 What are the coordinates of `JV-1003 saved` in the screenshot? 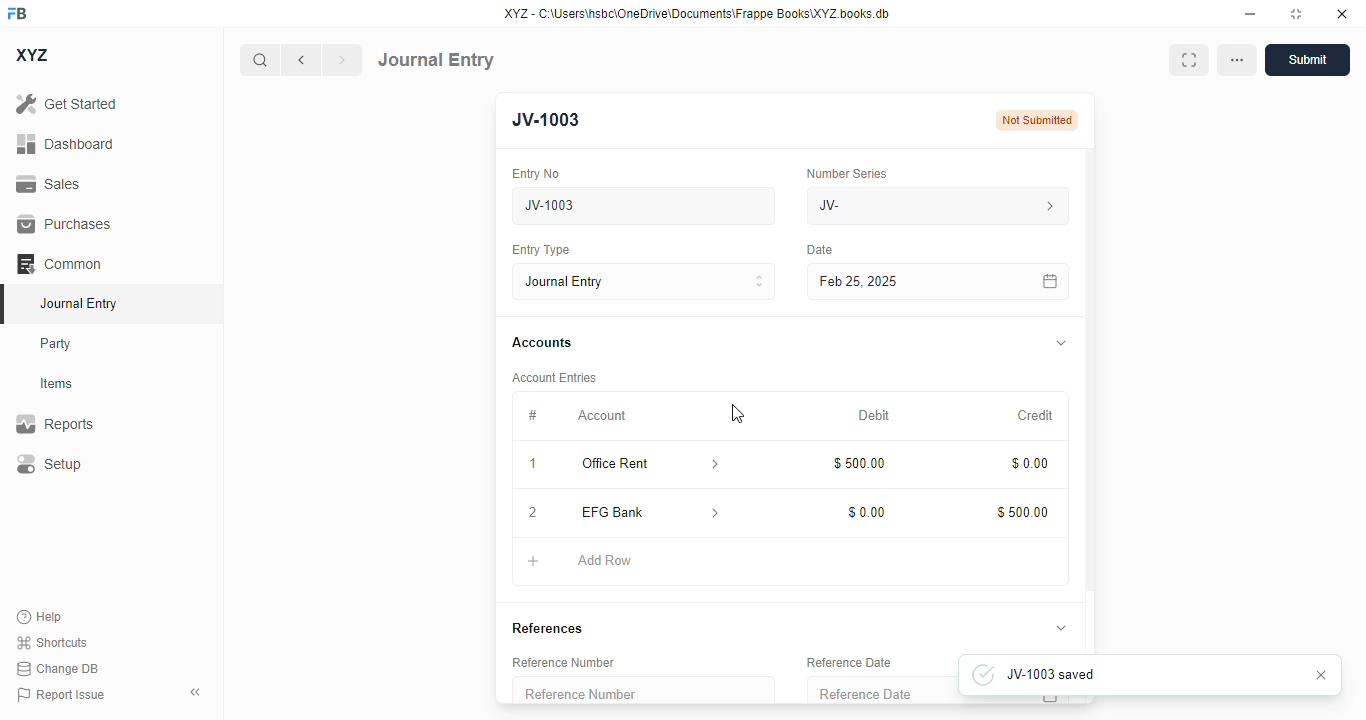 It's located at (1078, 673).